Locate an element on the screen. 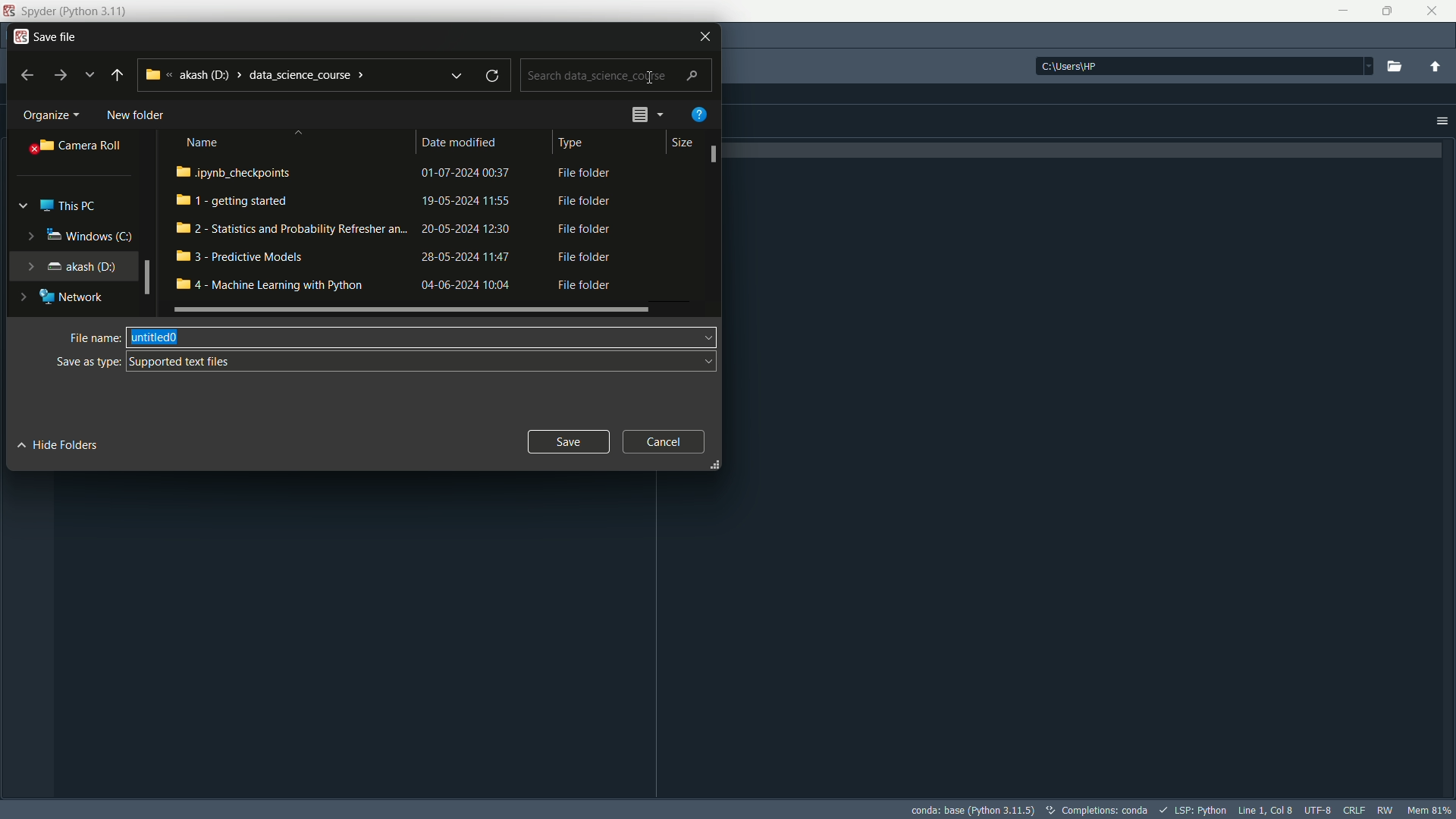  save file is located at coordinates (57, 36).